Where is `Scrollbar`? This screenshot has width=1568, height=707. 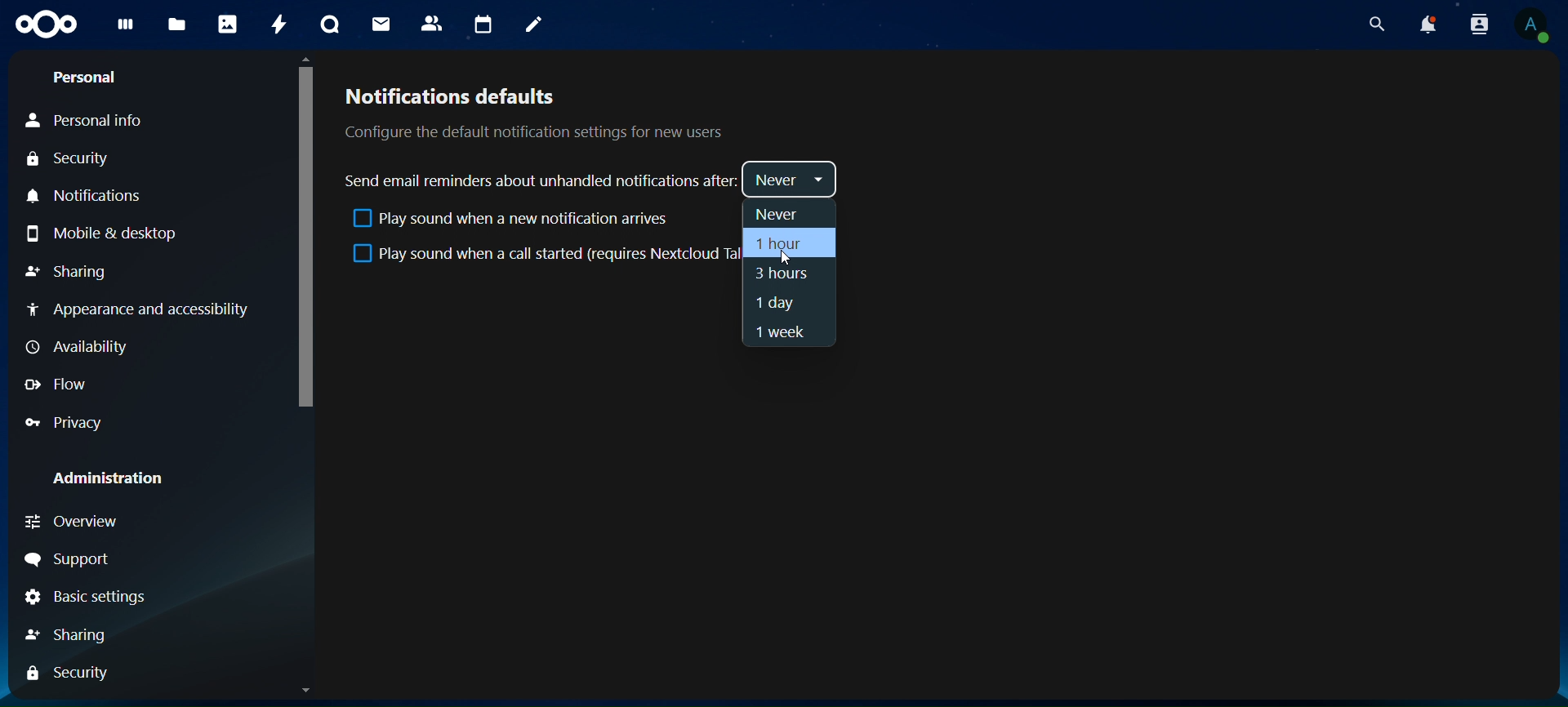
Scrollbar is located at coordinates (303, 375).